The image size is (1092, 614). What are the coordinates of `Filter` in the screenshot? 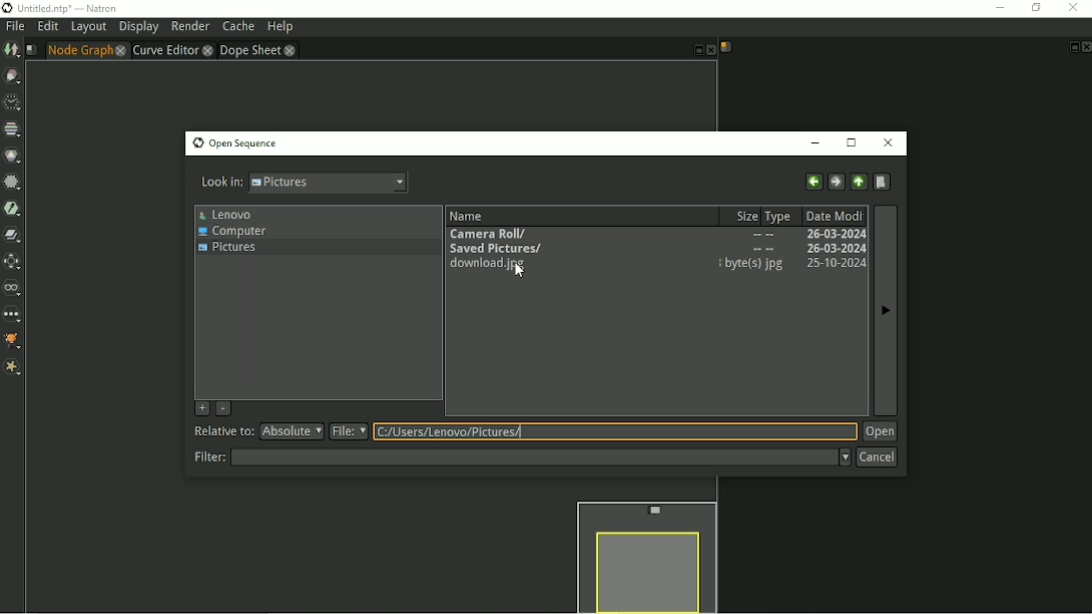 It's located at (521, 457).